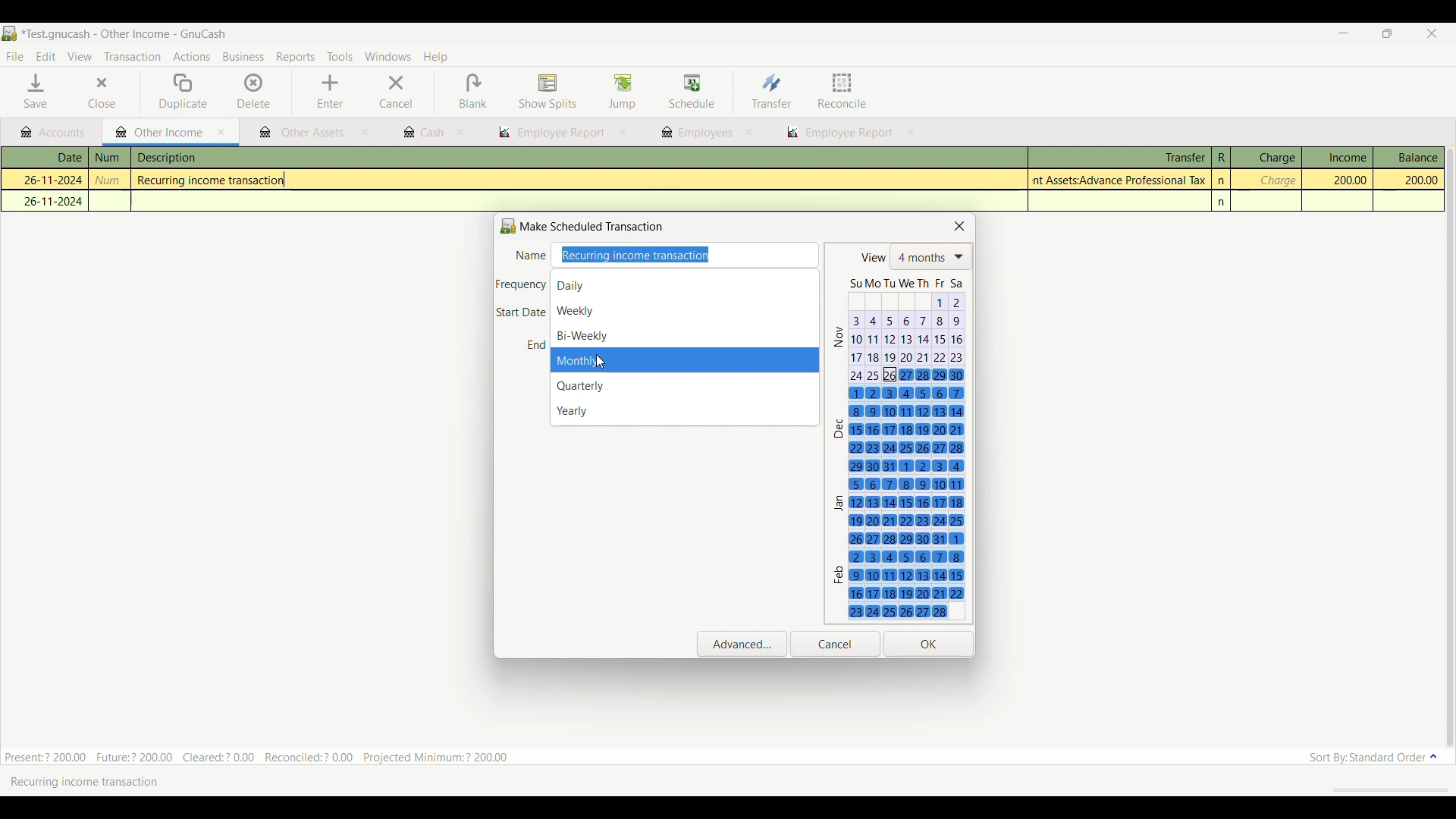 The image size is (1456, 819). Describe the element at coordinates (436, 58) in the screenshot. I see `Help menu` at that location.